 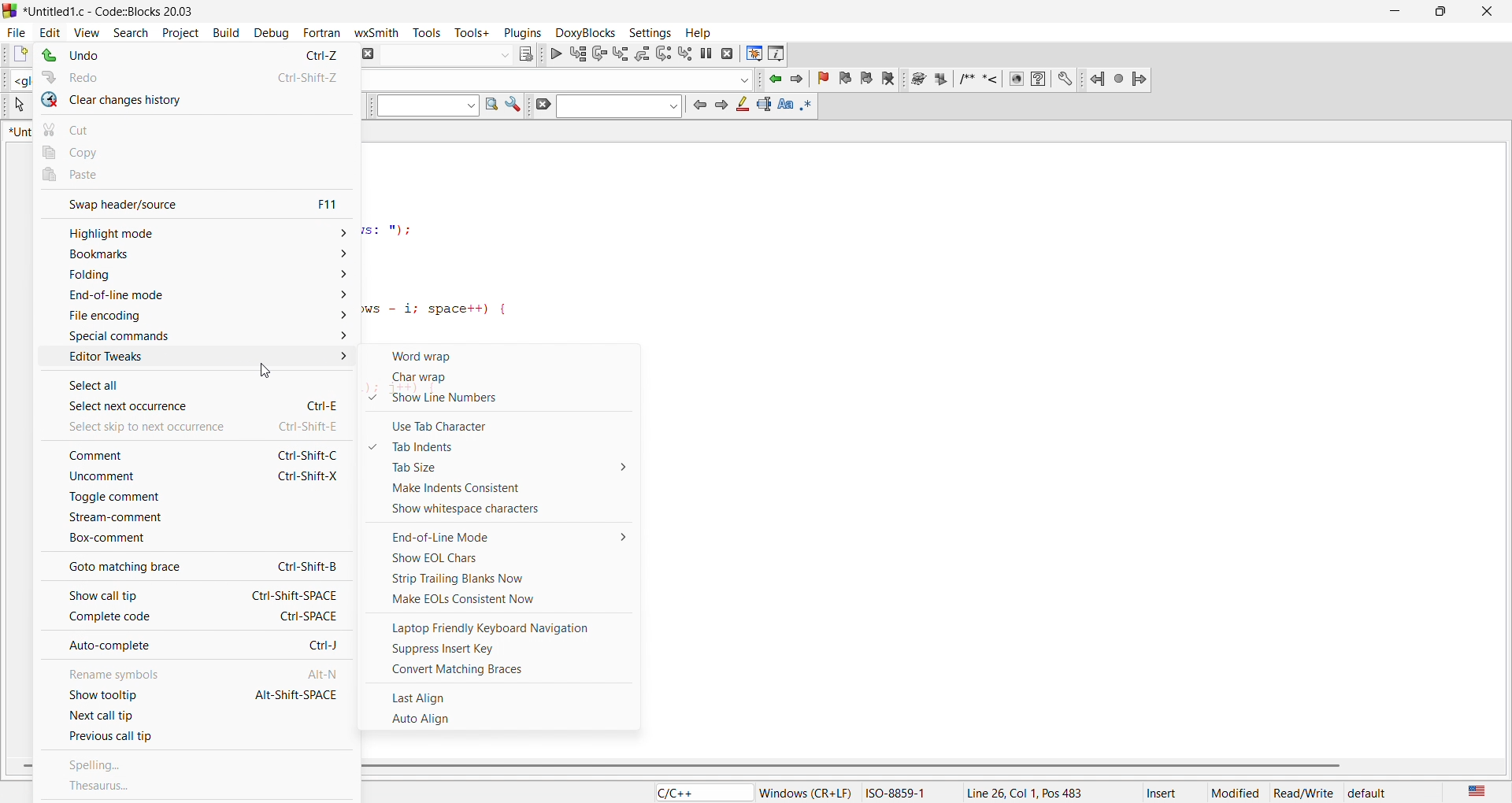 What do you see at coordinates (542, 105) in the screenshot?
I see `icon` at bounding box center [542, 105].